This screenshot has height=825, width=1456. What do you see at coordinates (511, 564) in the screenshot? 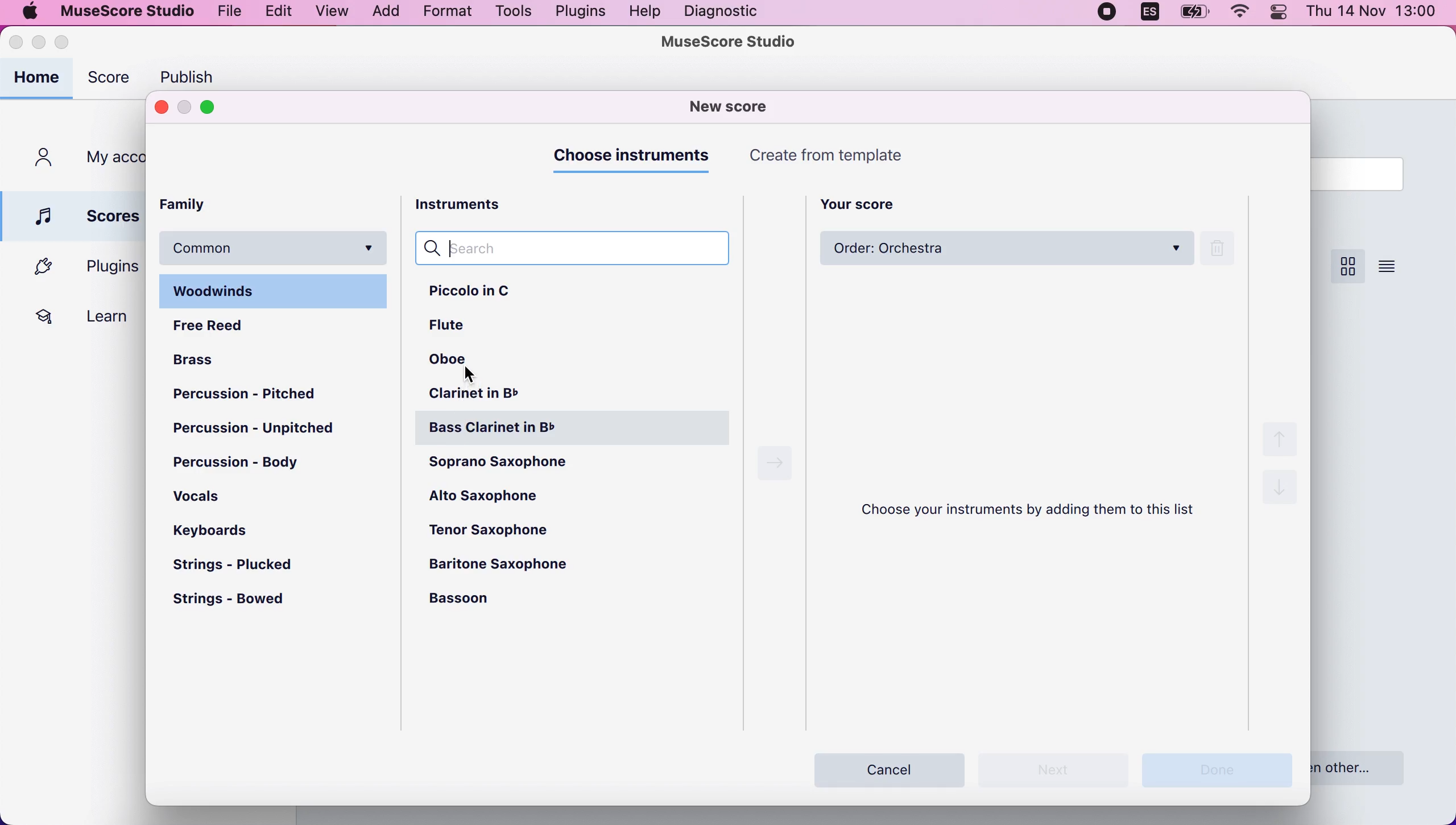
I see `baritone saxophone` at bounding box center [511, 564].